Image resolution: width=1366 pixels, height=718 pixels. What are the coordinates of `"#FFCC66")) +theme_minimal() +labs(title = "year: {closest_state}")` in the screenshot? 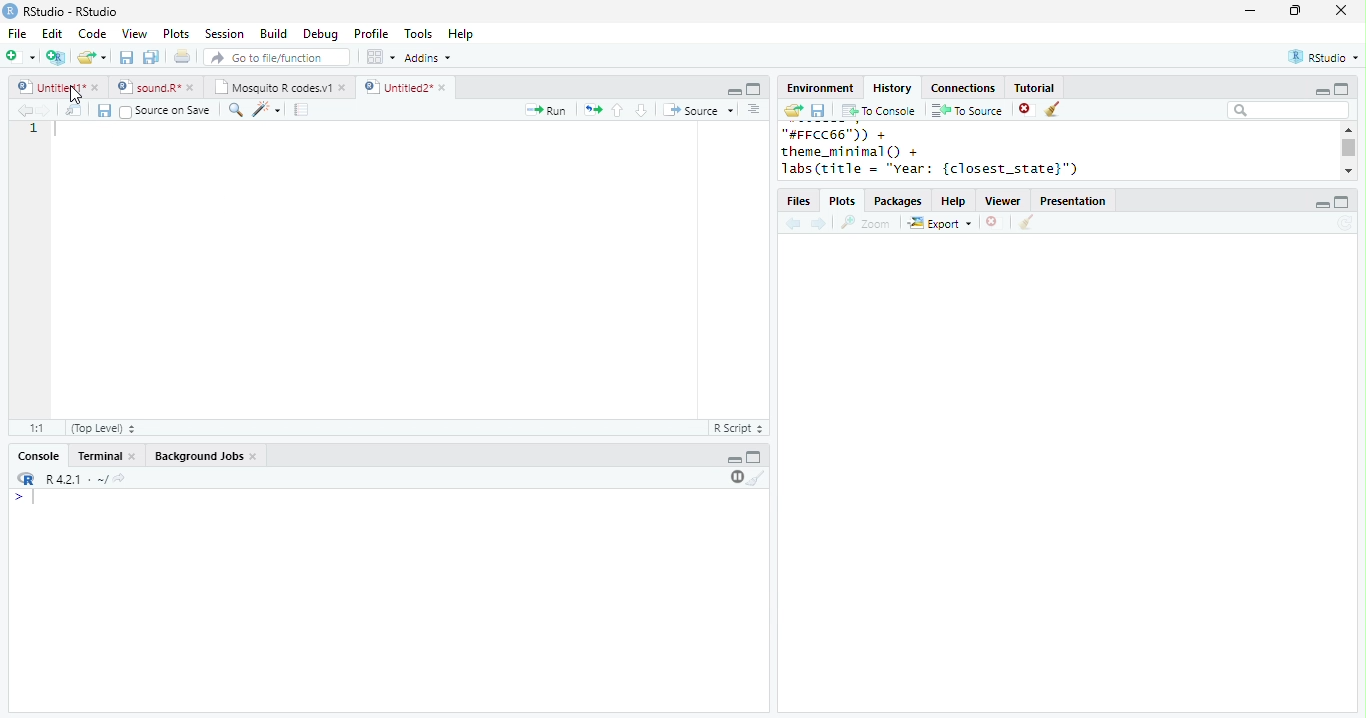 It's located at (955, 152).